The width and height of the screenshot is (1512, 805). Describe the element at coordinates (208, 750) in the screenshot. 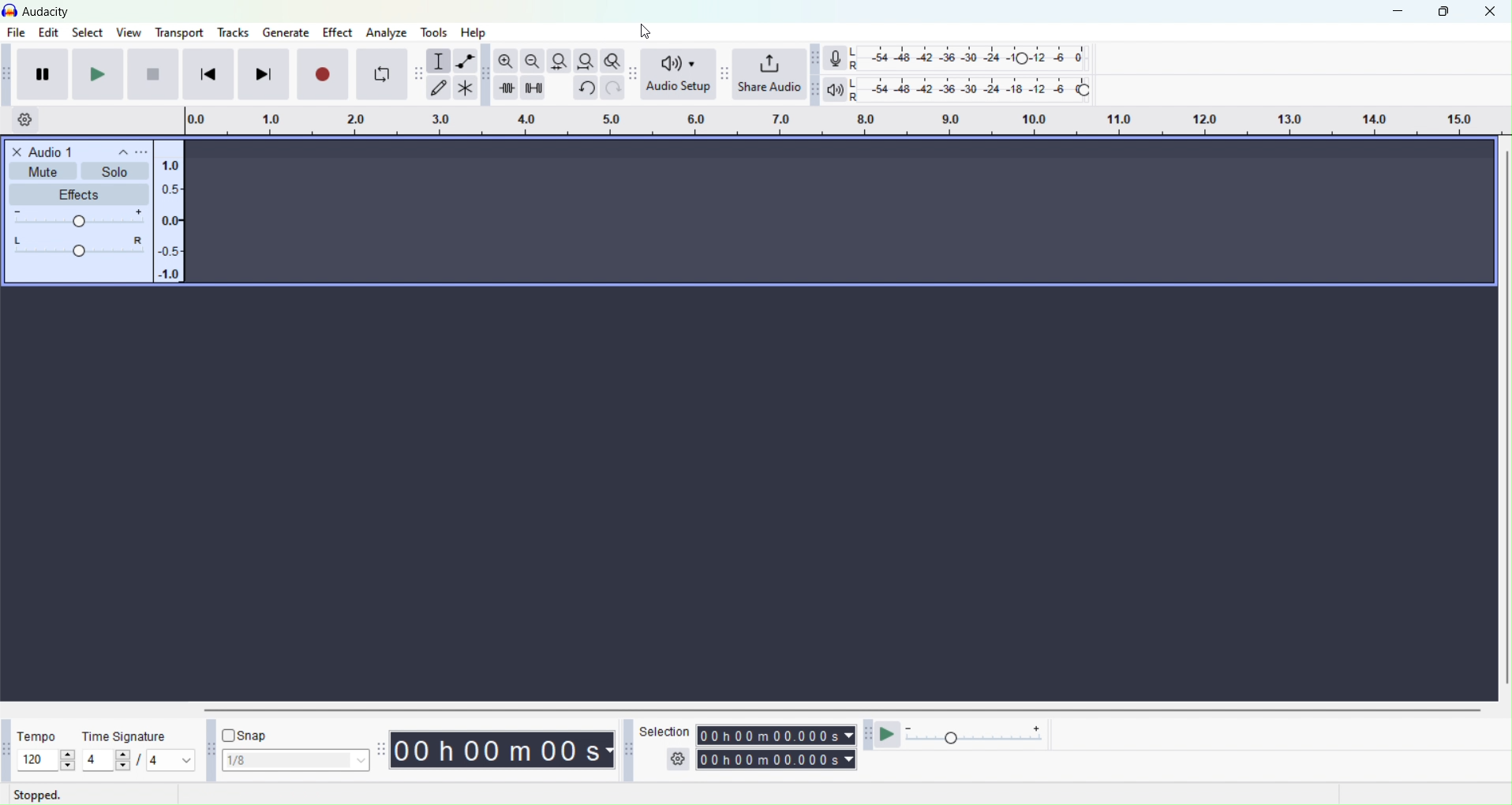

I see `Audacity snapping tool` at that location.